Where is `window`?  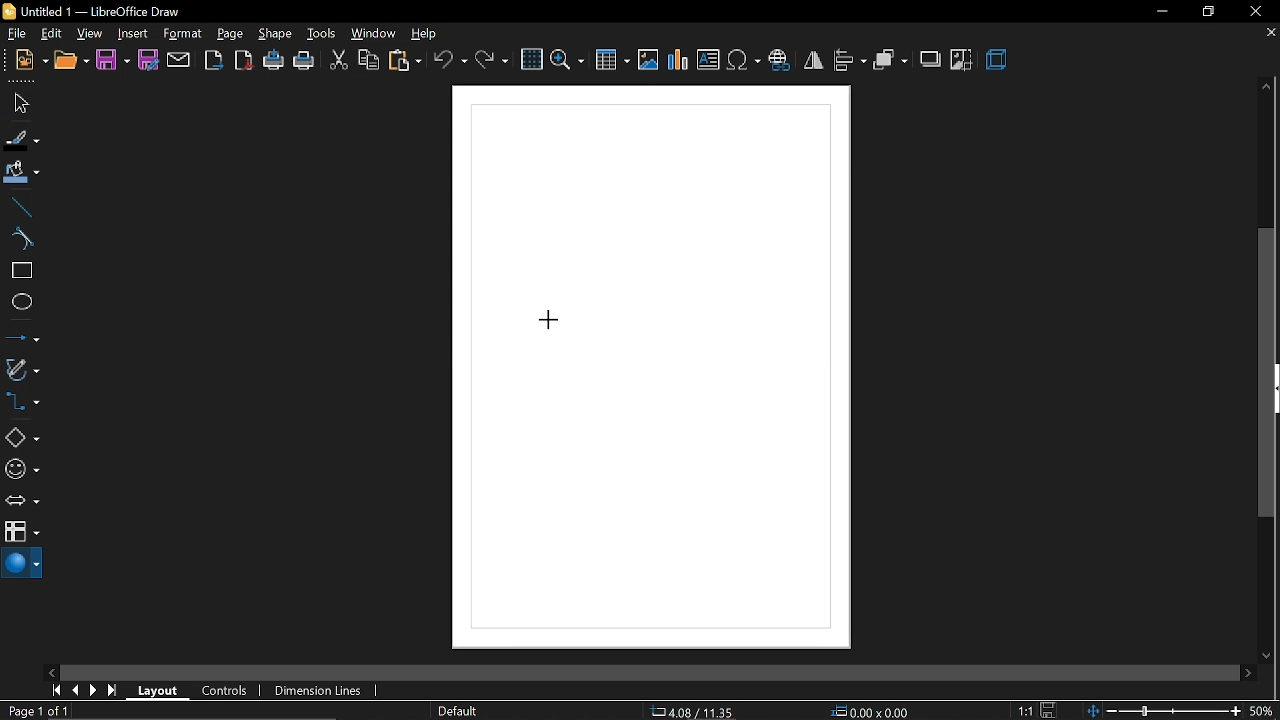
window is located at coordinates (374, 35).